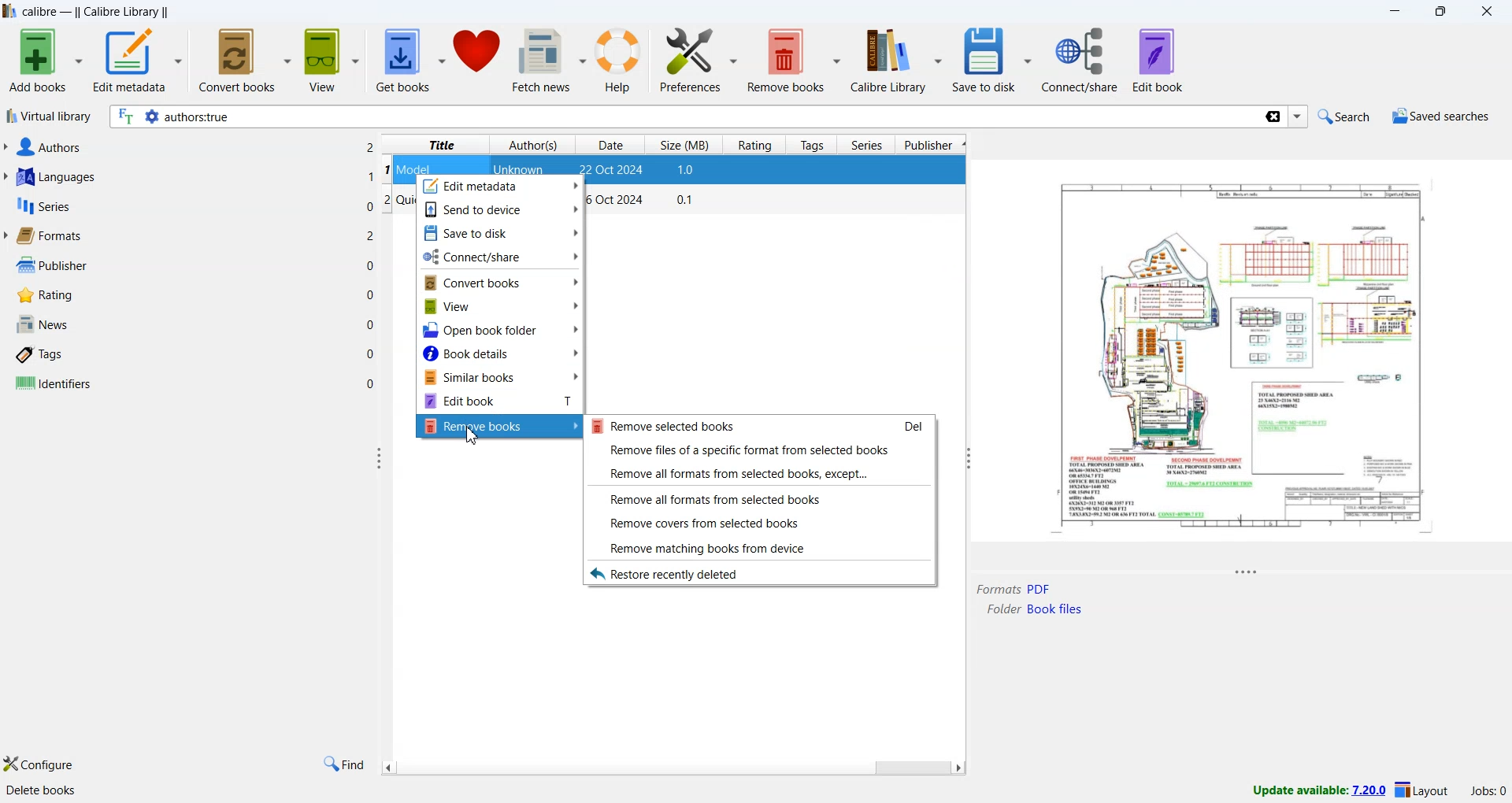 This screenshot has height=803, width=1512. Describe the element at coordinates (1443, 13) in the screenshot. I see `maximize` at that location.